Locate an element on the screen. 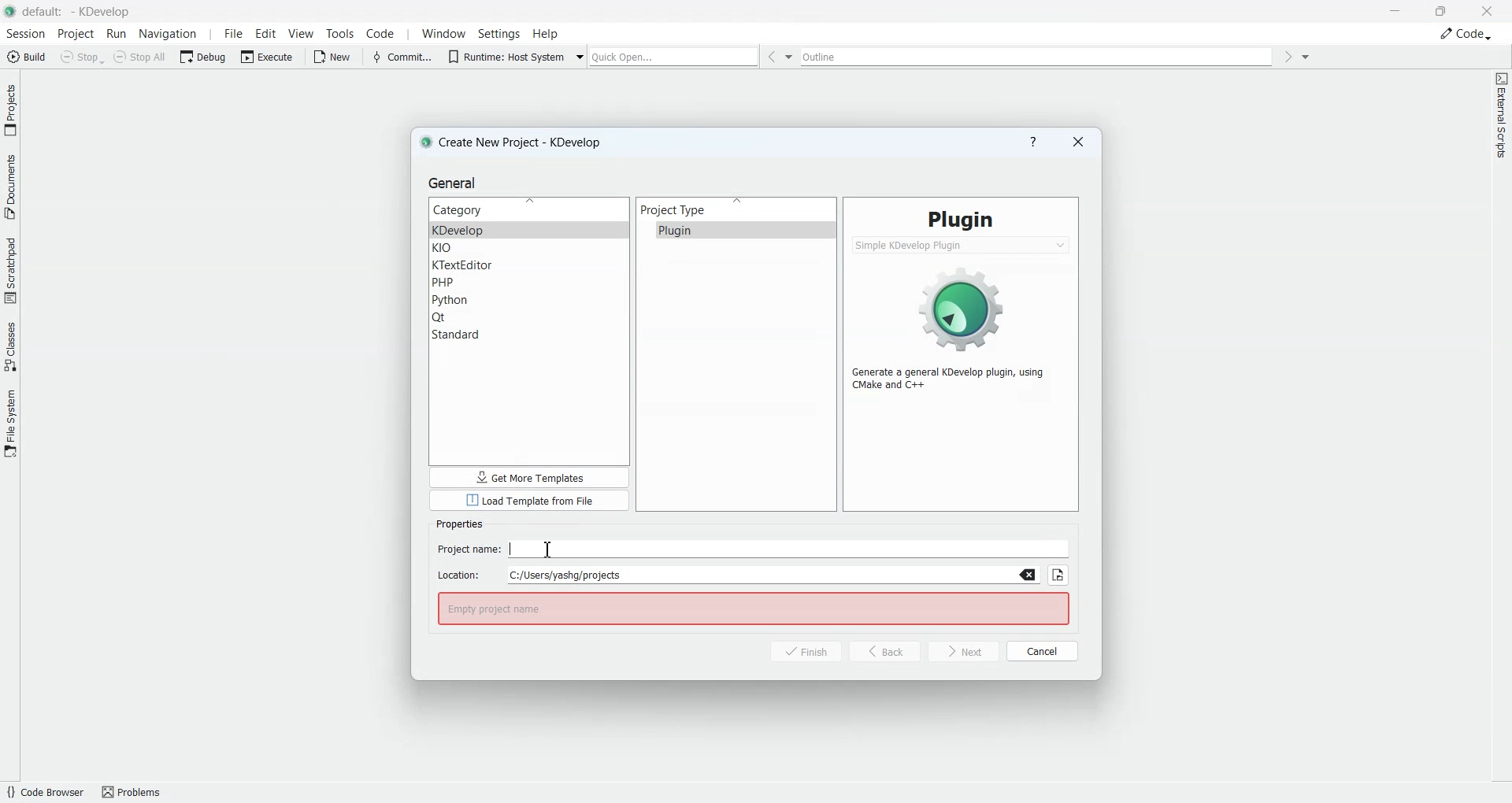 The width and height of the screenshot is (1512, 803). Build is located at coordinates (25, 56).